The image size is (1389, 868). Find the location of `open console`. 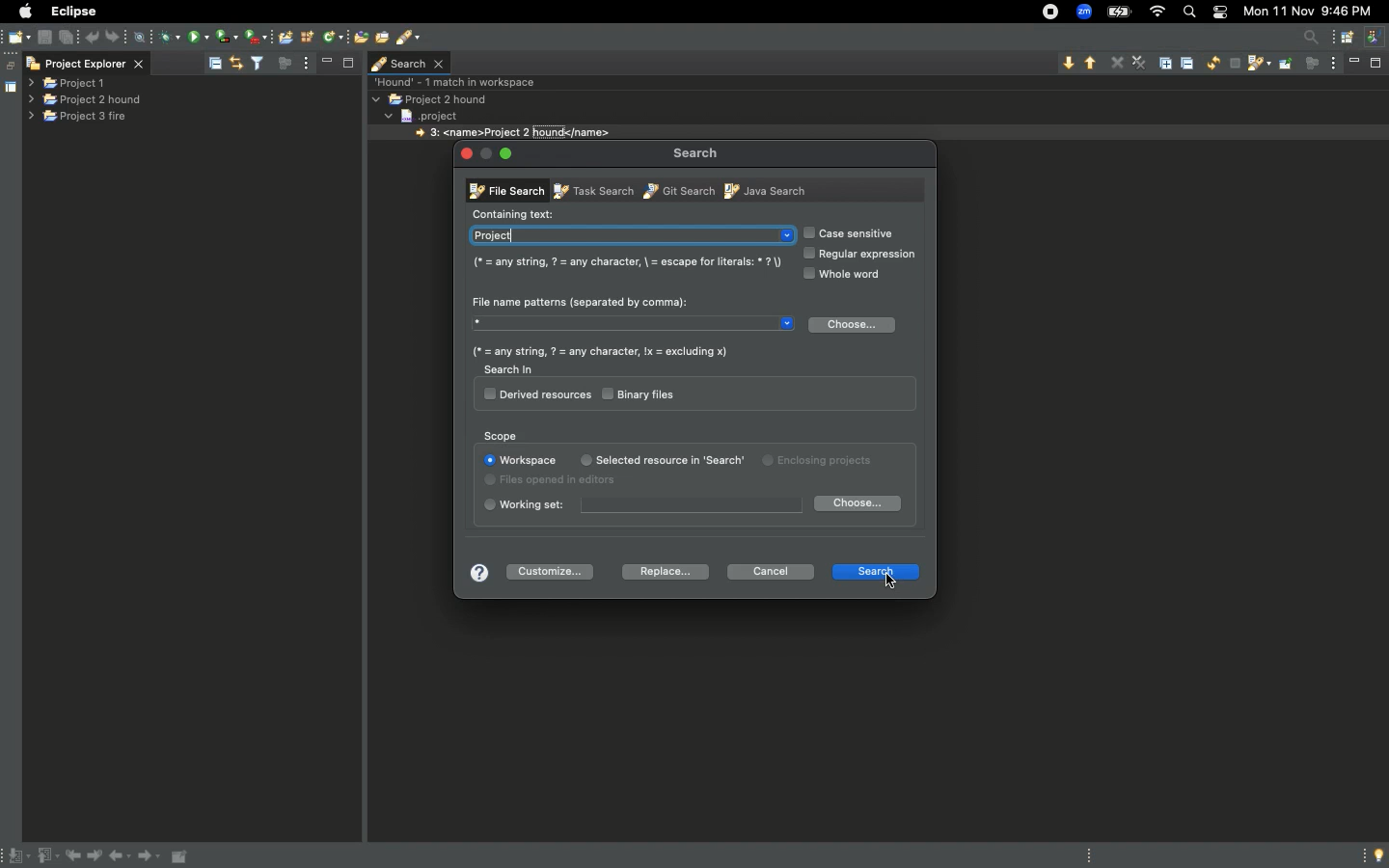

open console is located at coordinates (286, 36).